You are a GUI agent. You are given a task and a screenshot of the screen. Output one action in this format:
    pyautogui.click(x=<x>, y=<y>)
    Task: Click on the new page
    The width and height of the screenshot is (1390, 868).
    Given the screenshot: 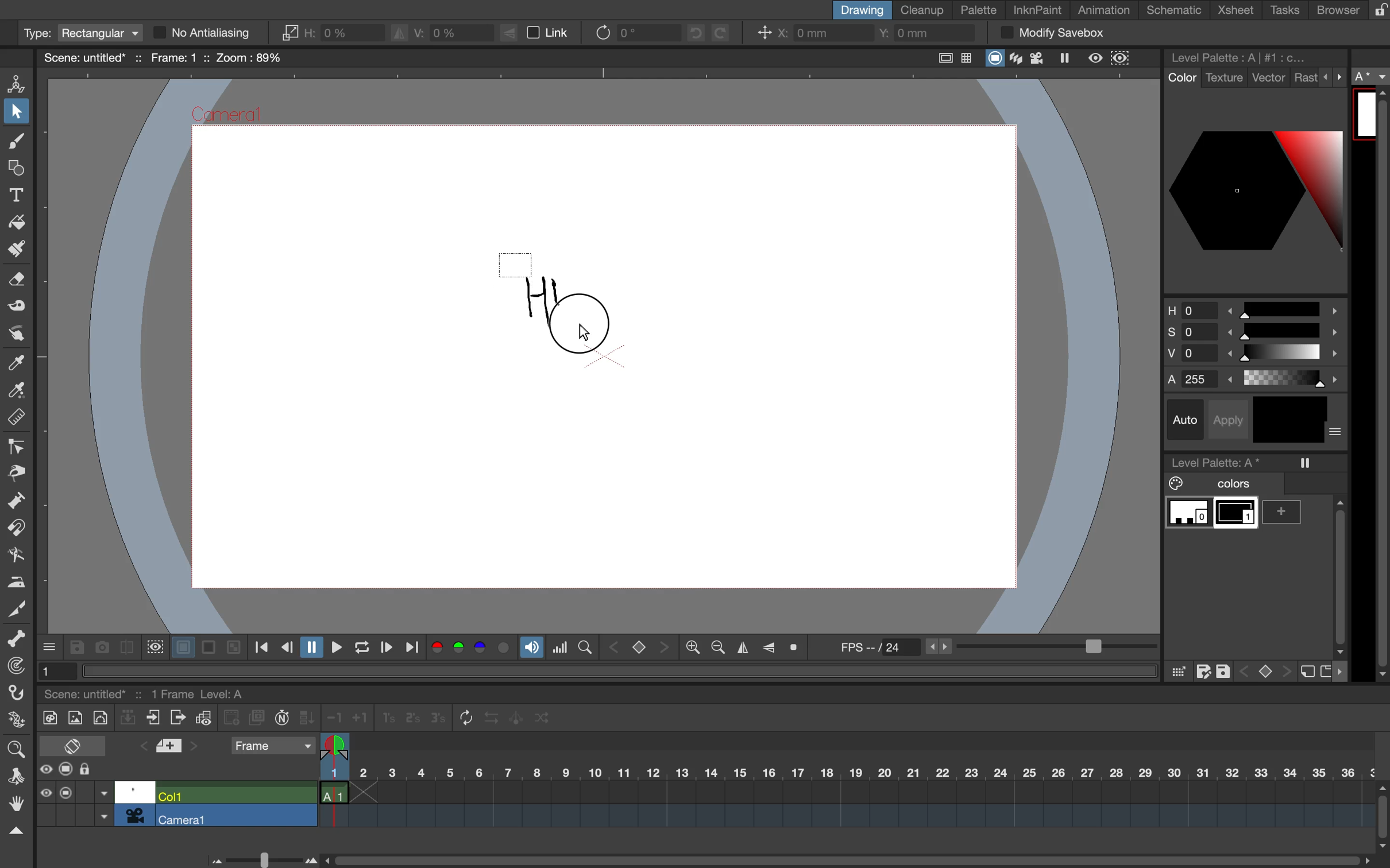 What is the action you would take?
    pyautogui.click(x=1325, y=670)
    